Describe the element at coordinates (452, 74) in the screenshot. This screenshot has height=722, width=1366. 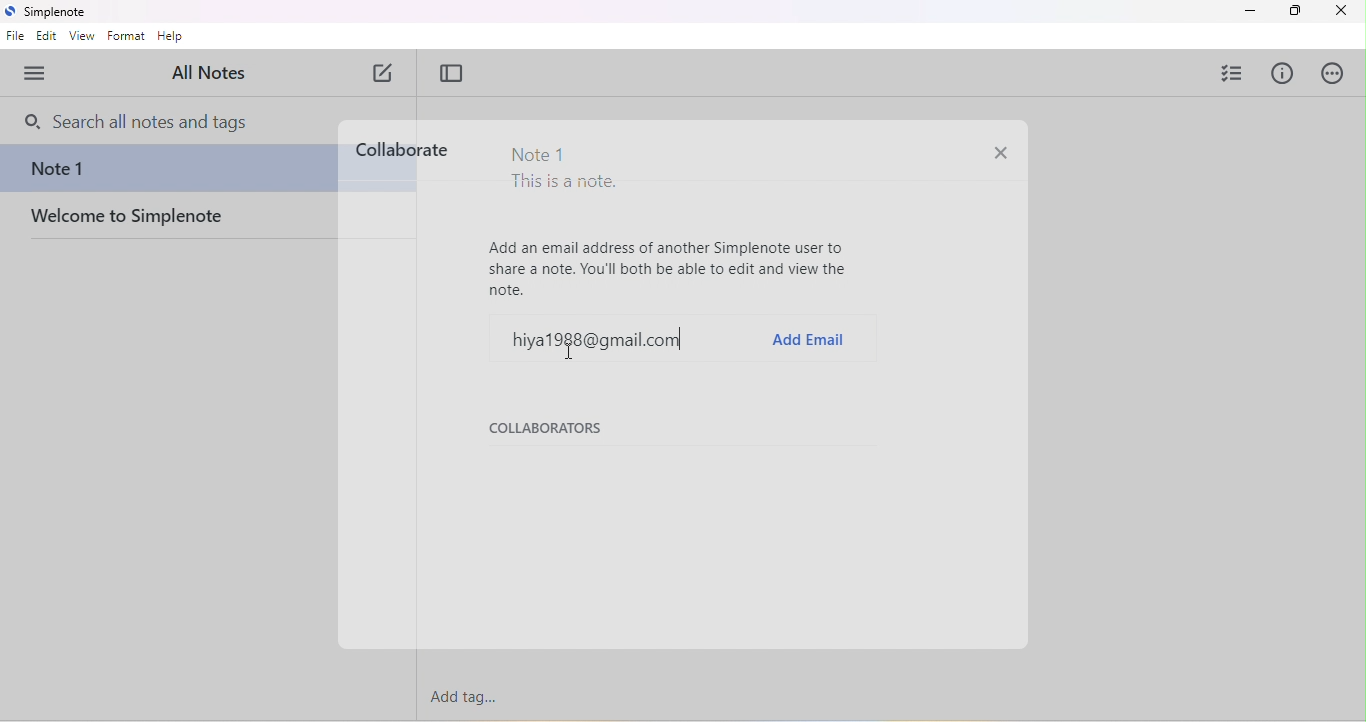
I see `toggle focus mode` at that location.